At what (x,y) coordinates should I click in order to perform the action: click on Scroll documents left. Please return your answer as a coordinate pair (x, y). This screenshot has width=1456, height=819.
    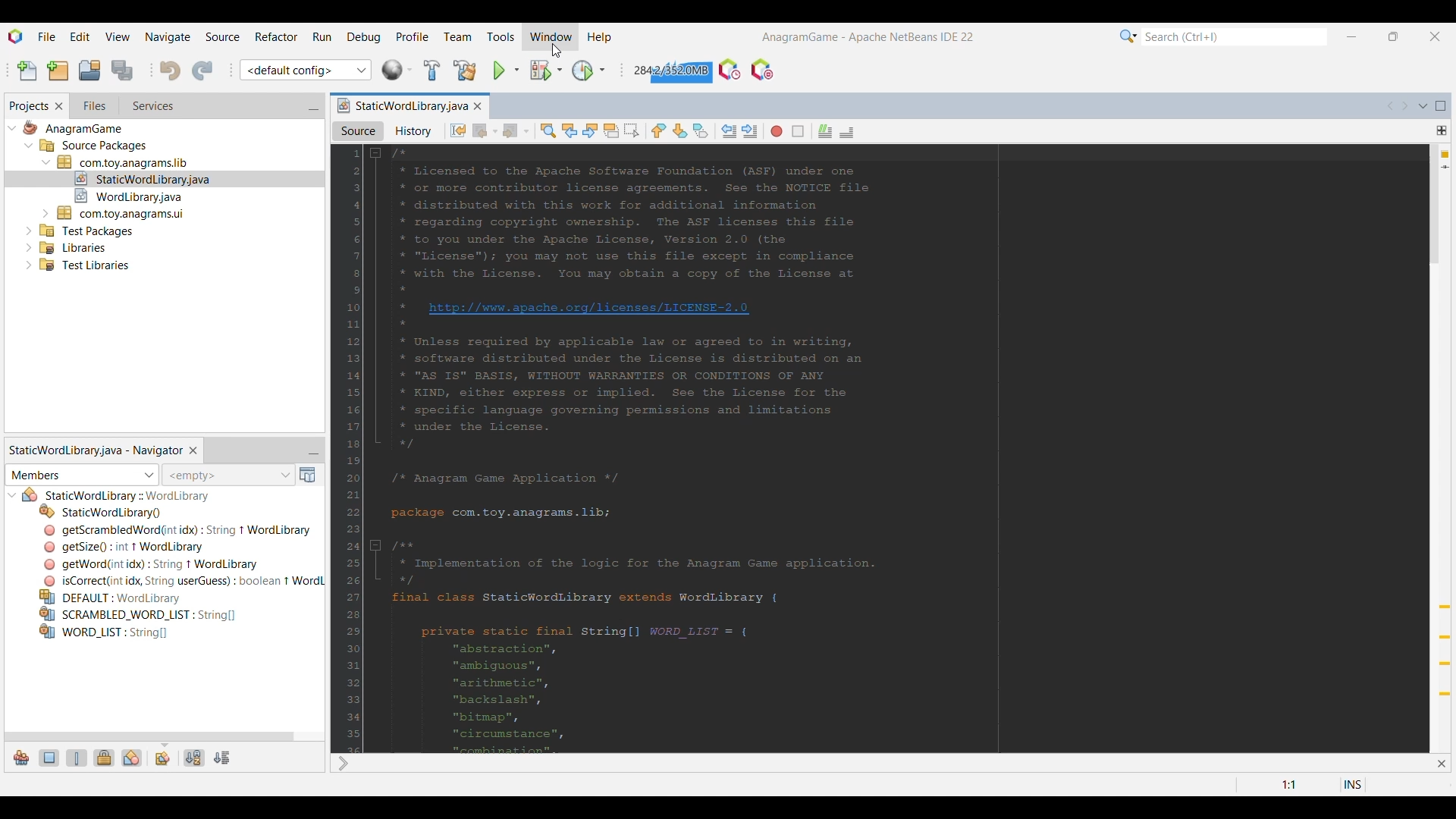
    Looking at the image, I should click on (1391, 105).